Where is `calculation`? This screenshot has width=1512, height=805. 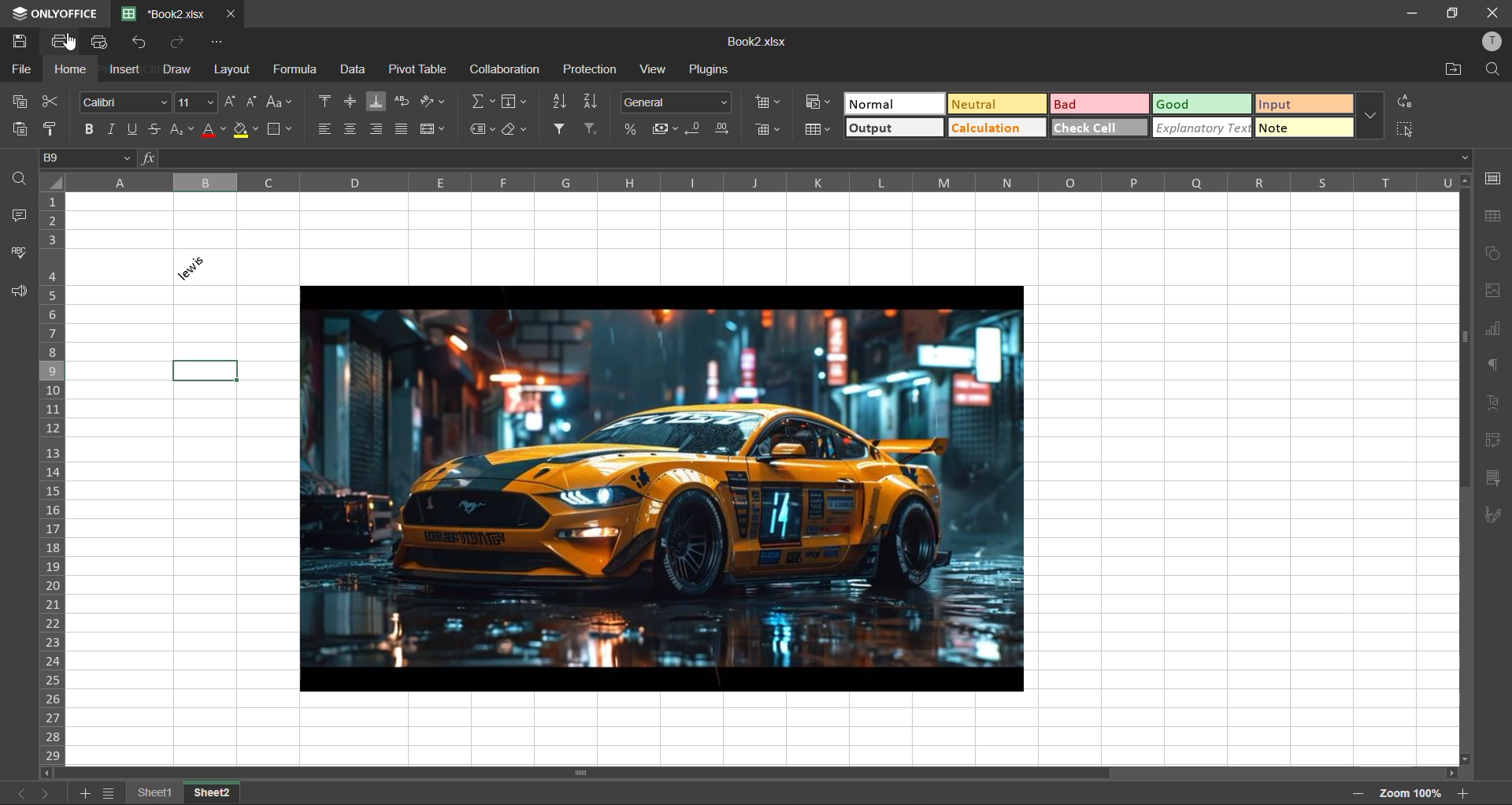 calculation is located at coordinates (995, 128).